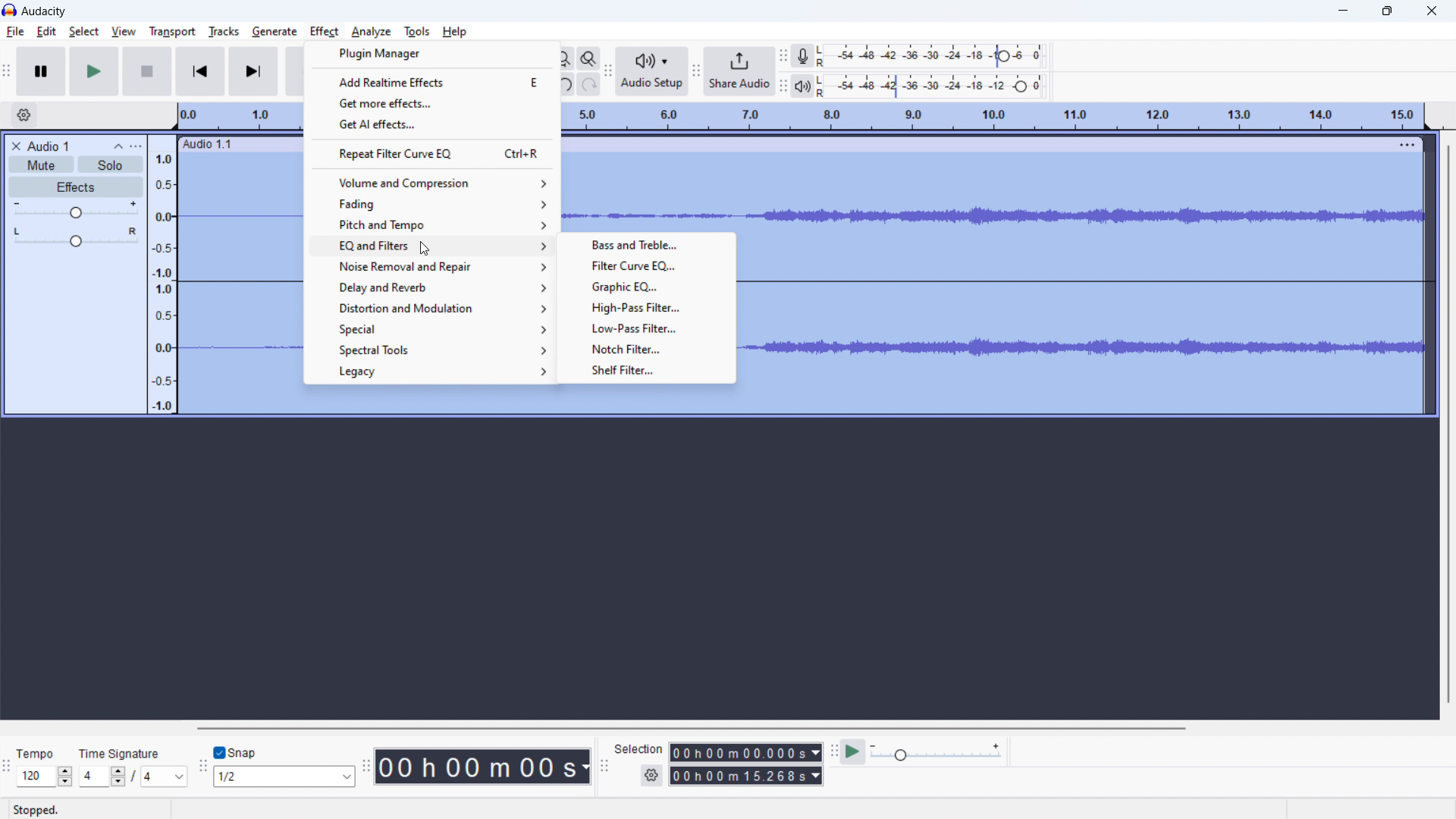 The image size is (1456, 819). What do you see at coordinates (173, 30) in the screenshot?
I see `transport` at bounding box center [173, 30].